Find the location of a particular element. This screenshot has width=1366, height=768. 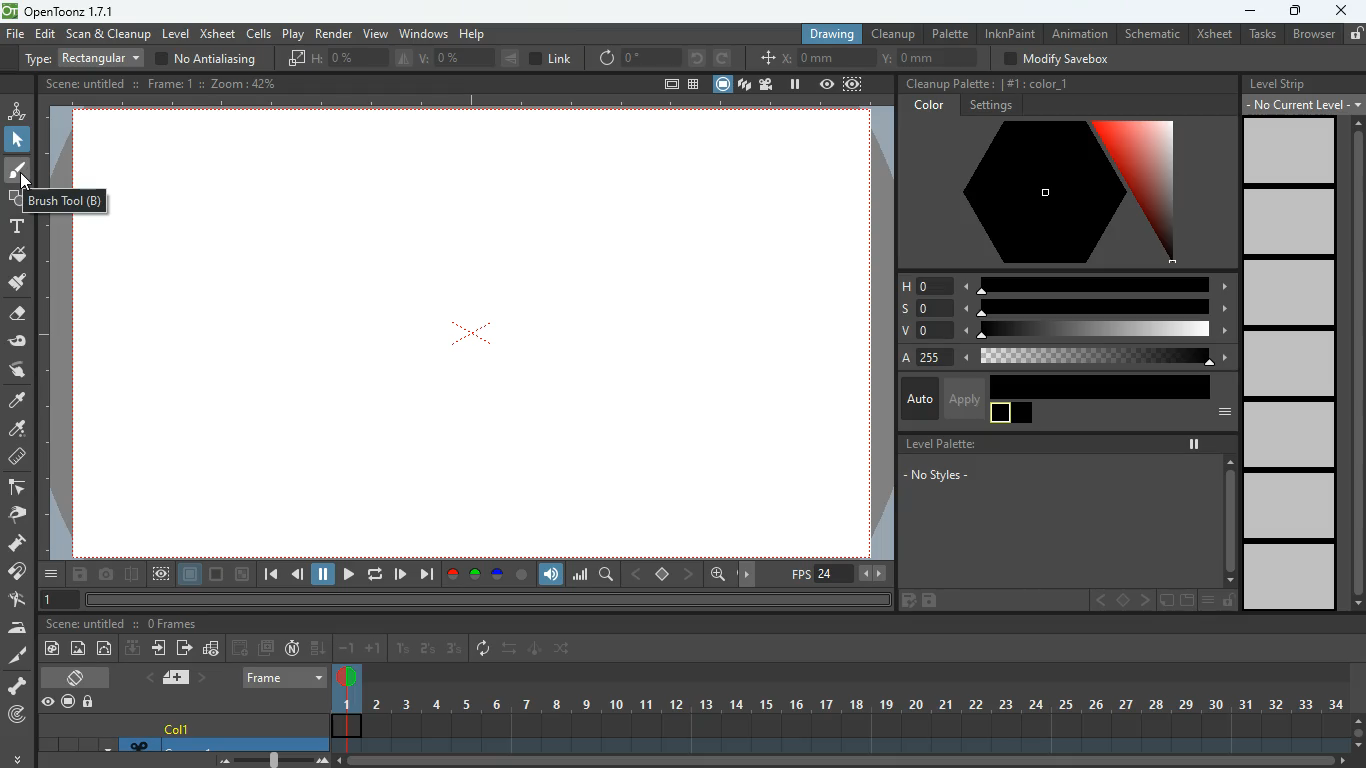

radar is located at coordinates (19, 716).